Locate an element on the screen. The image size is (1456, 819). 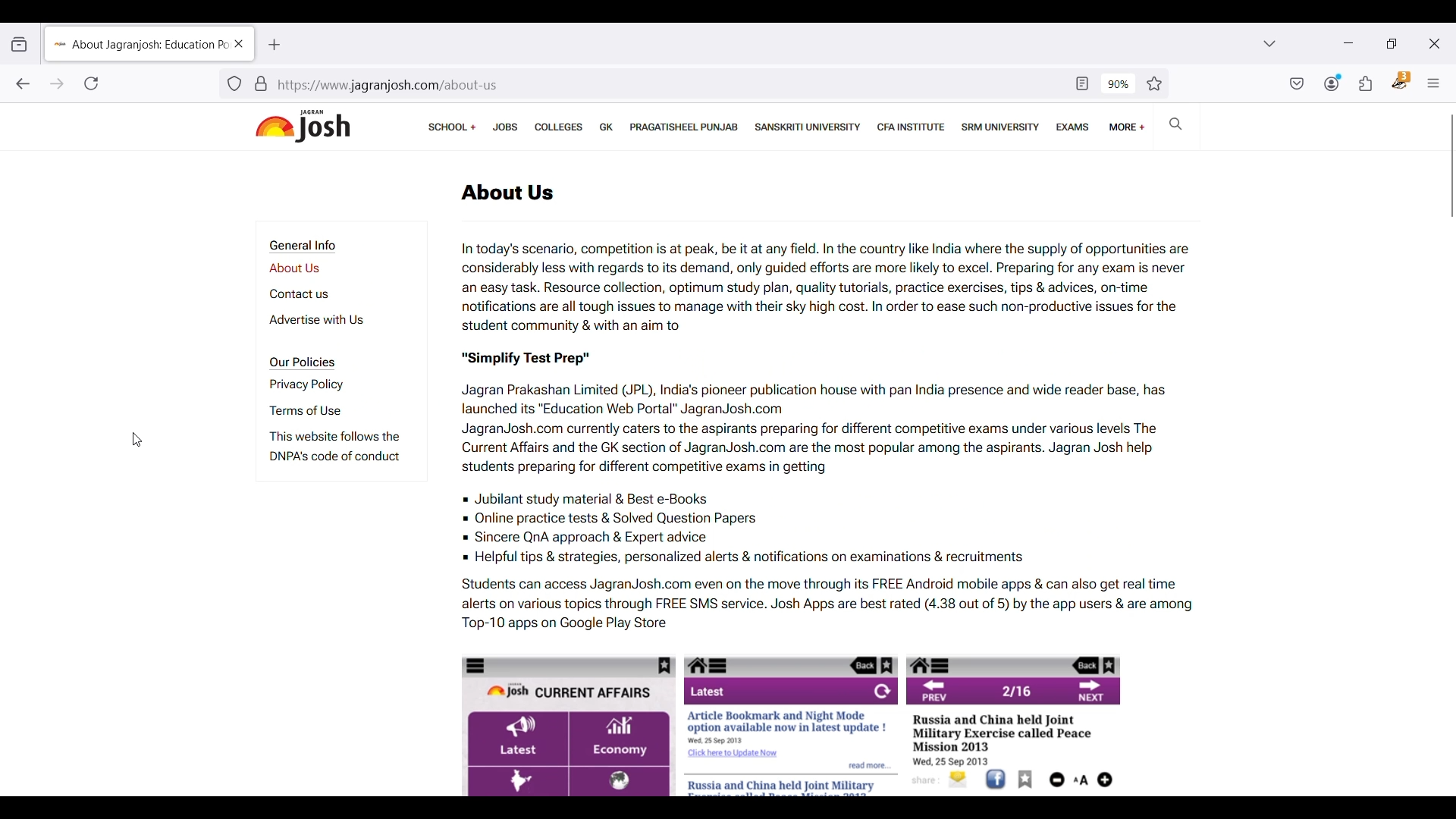
Sach on Jagran Josh is located at coordinates (1175, 123).